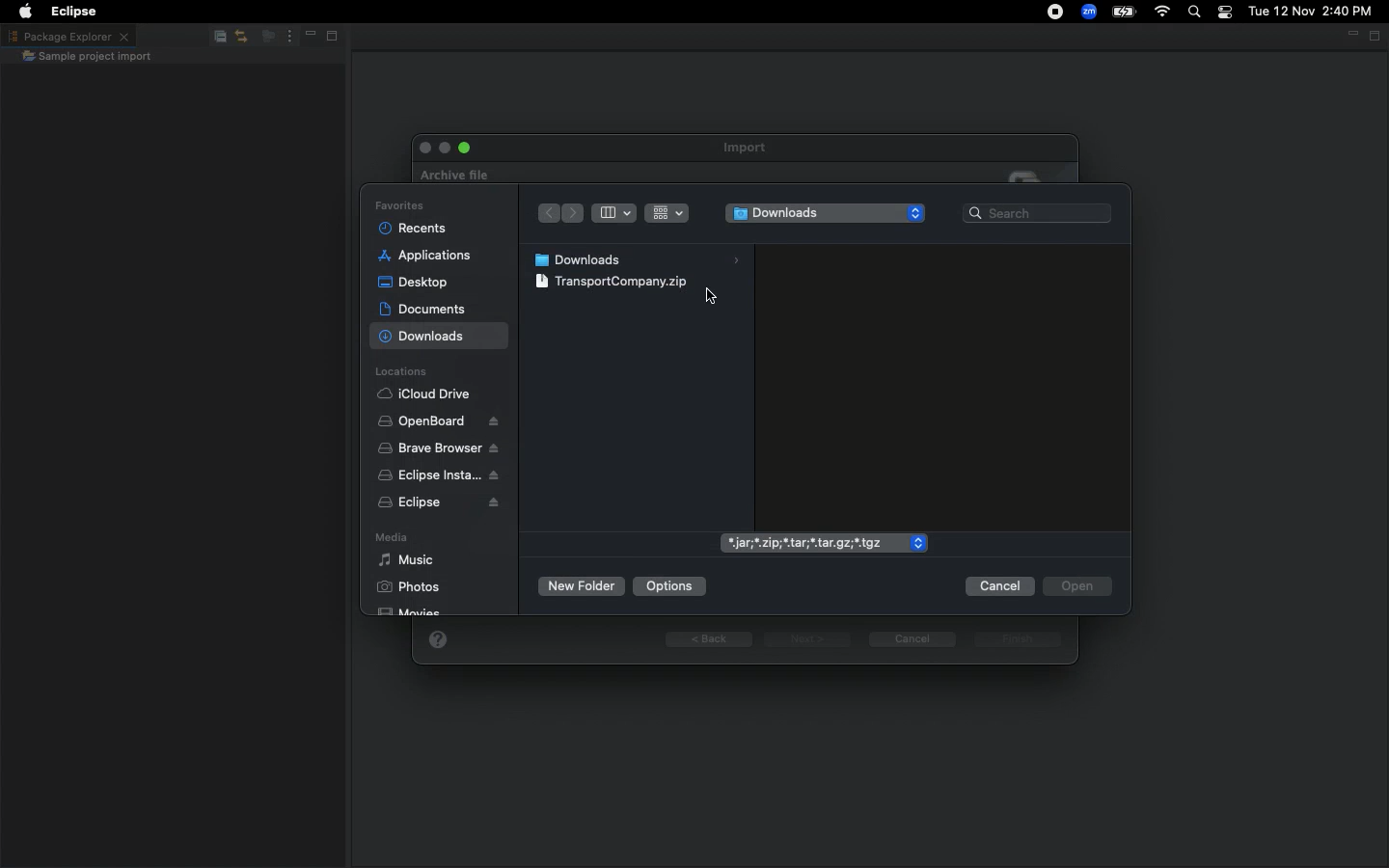 Image resolution: width=1389 pixels, height=868 pixels. Describe the element at coordinates (435, 475) in the screenshot. I see `eclipse insta` at that location.